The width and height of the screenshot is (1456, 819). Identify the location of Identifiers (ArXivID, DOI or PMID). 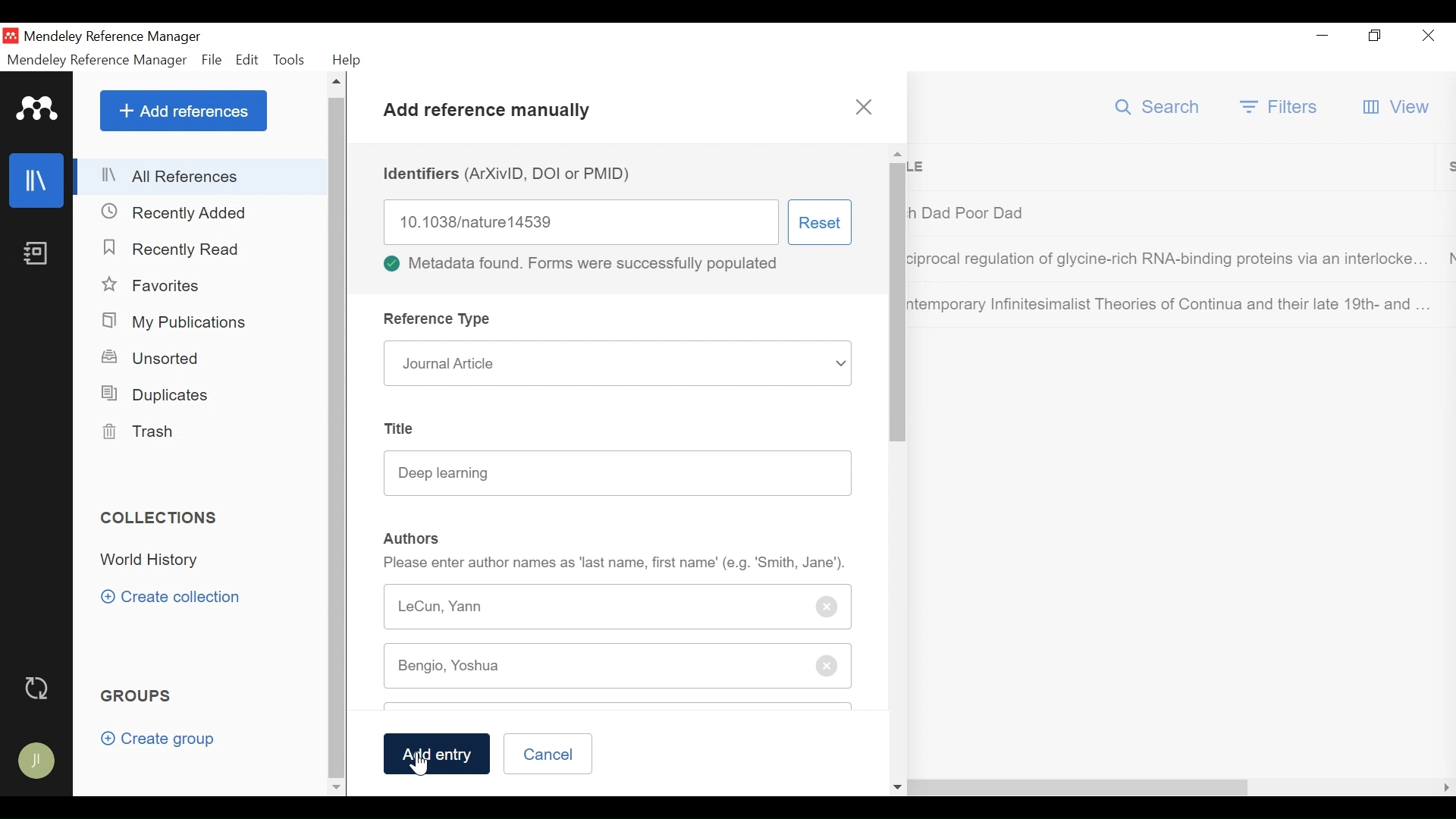
(512, 173).